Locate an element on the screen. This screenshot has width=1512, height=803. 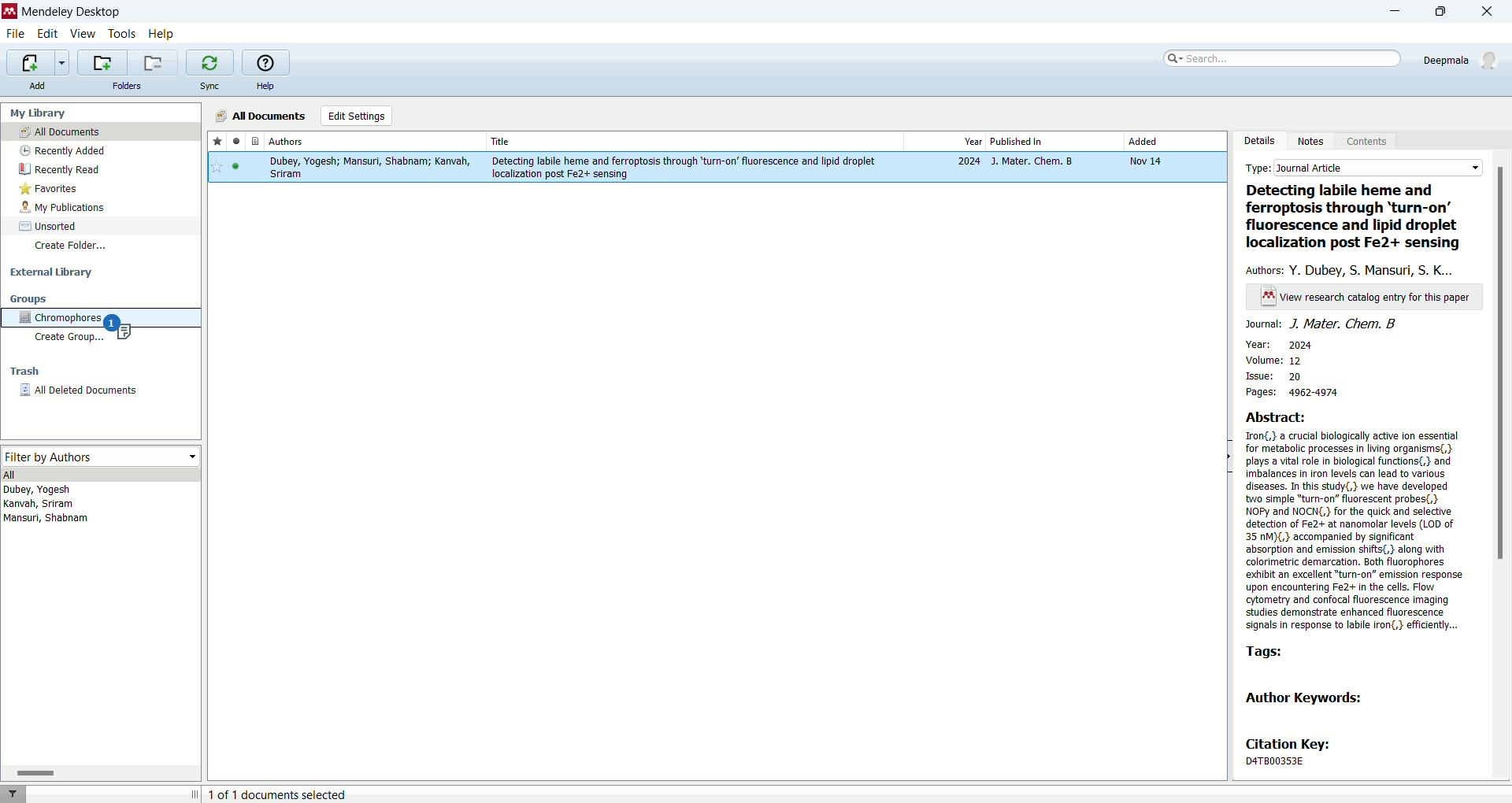
content is located at coordinates (1369, 142).